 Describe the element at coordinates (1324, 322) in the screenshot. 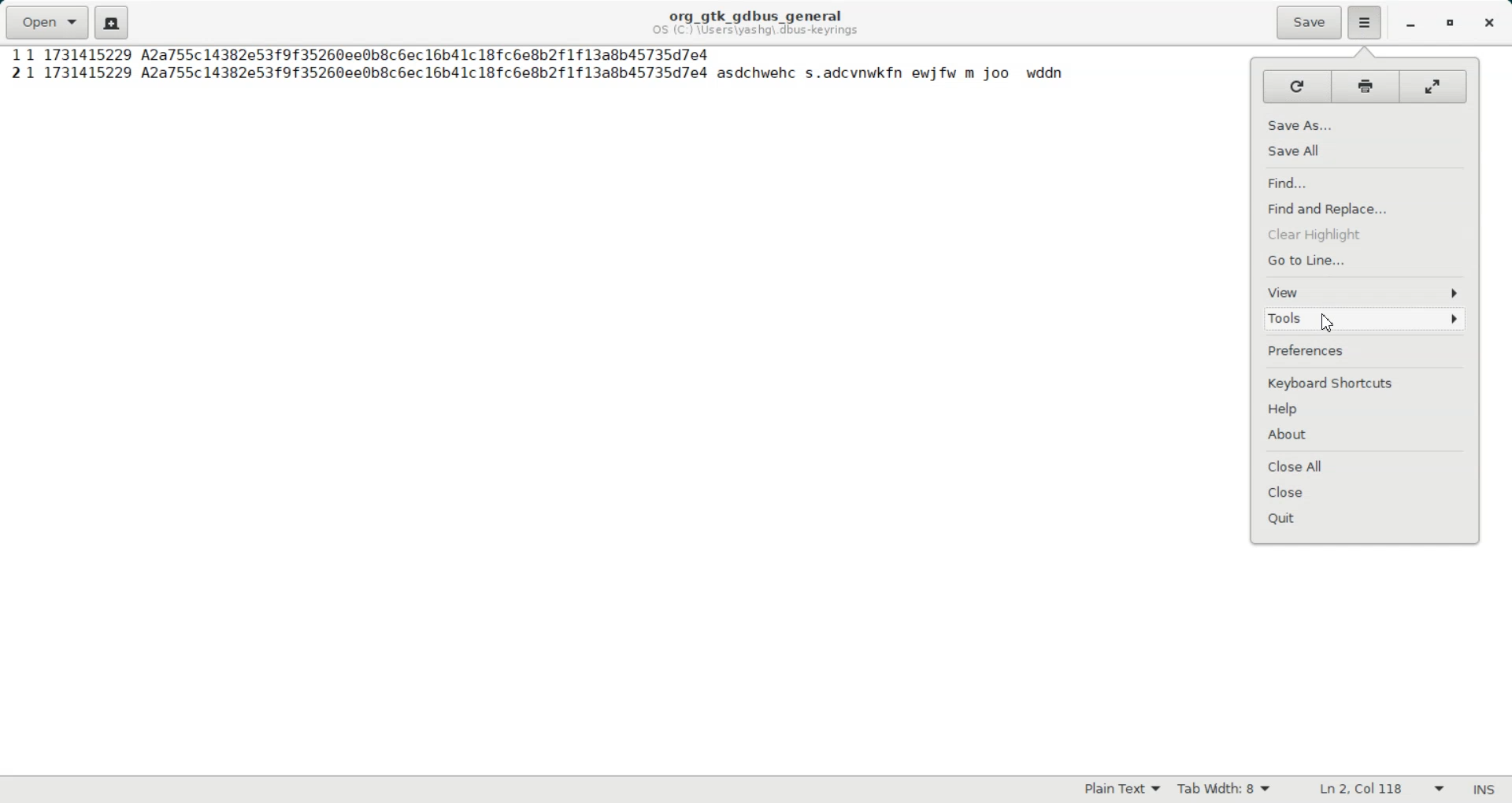

I see `Cursor` at that location.